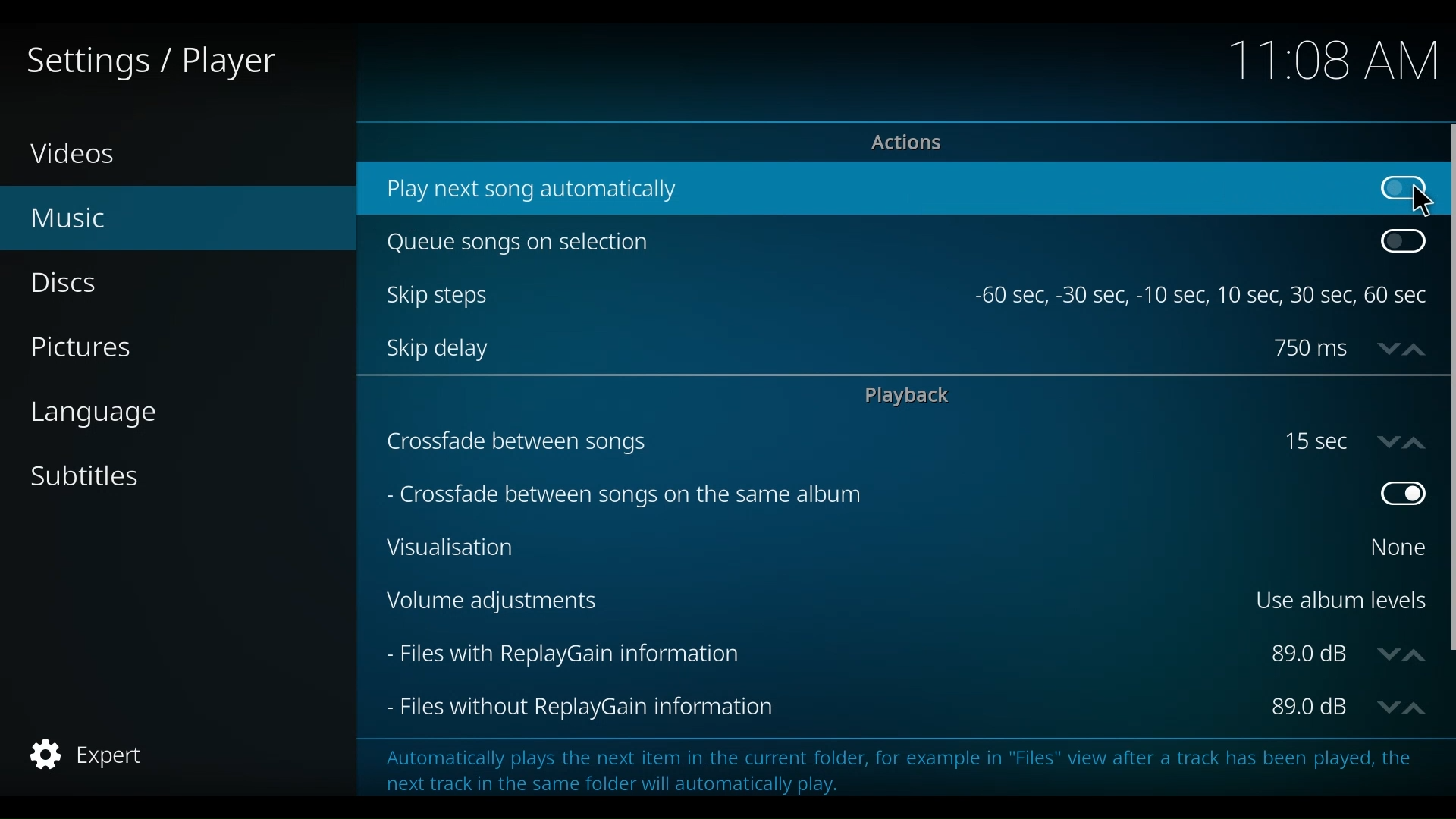  I want to click on Skip stes, so click(674, 295).